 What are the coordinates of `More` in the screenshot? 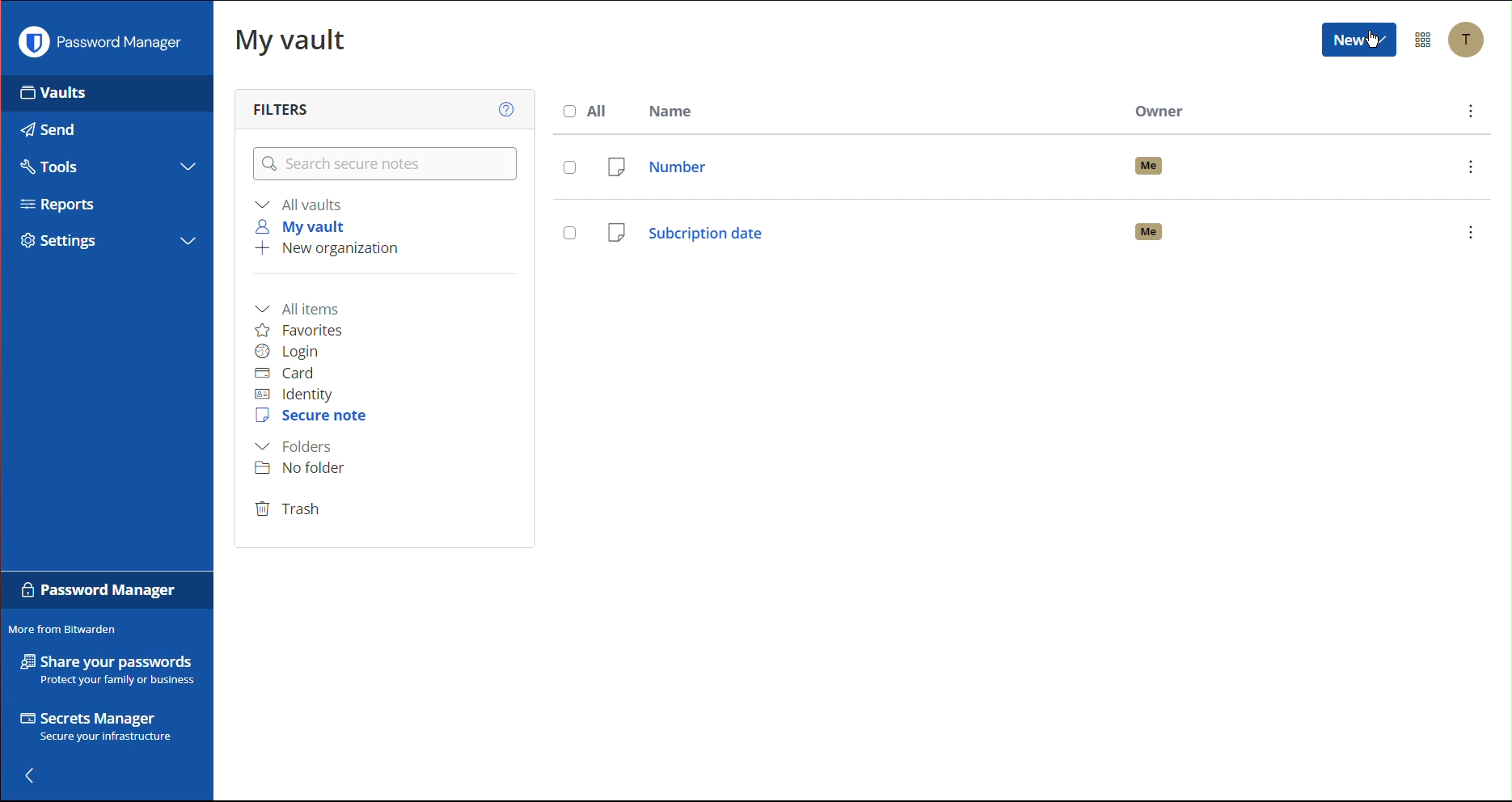 It's located at (1469, 112).